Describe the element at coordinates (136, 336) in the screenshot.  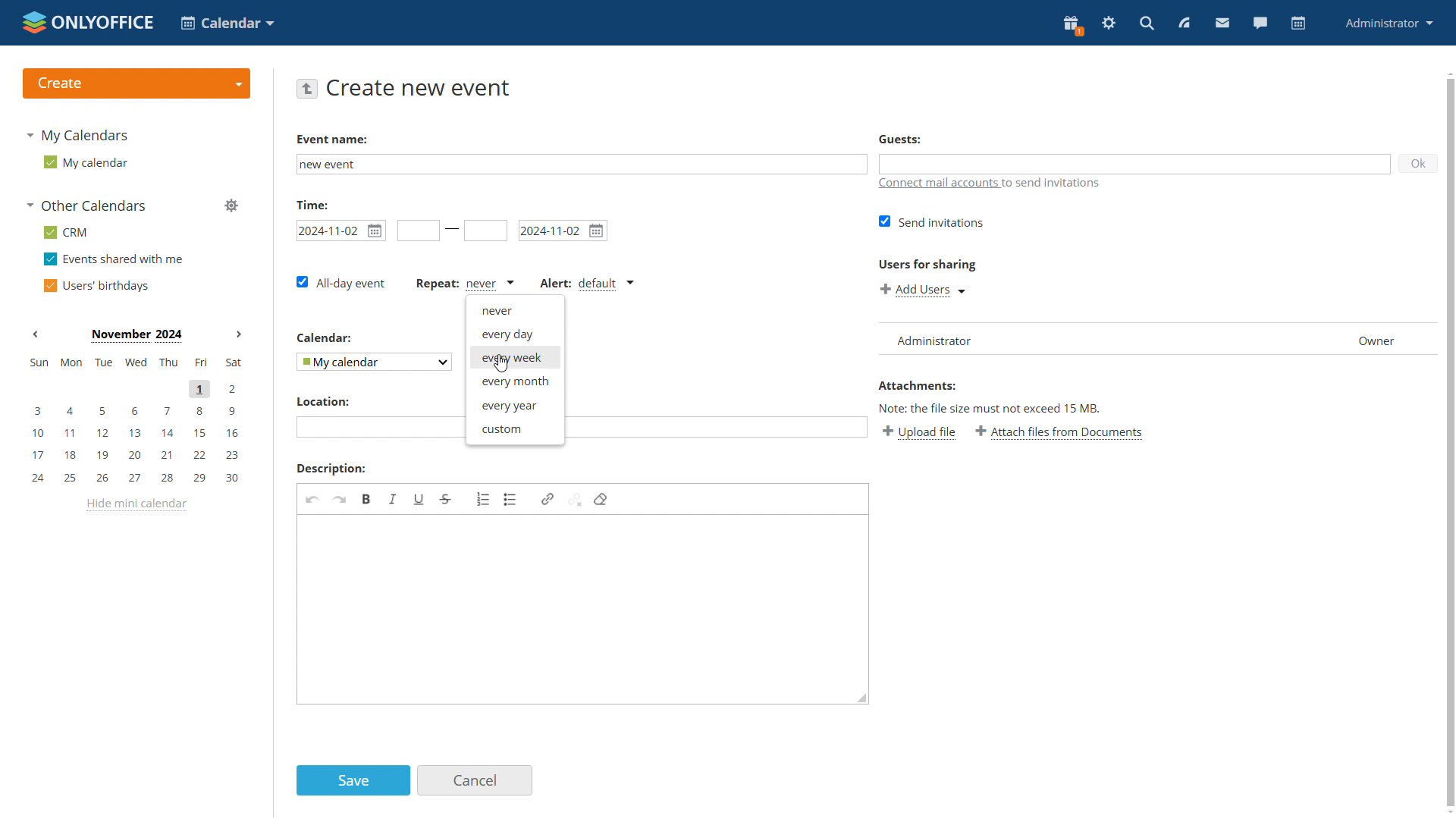
I see `Month on display` at that location.